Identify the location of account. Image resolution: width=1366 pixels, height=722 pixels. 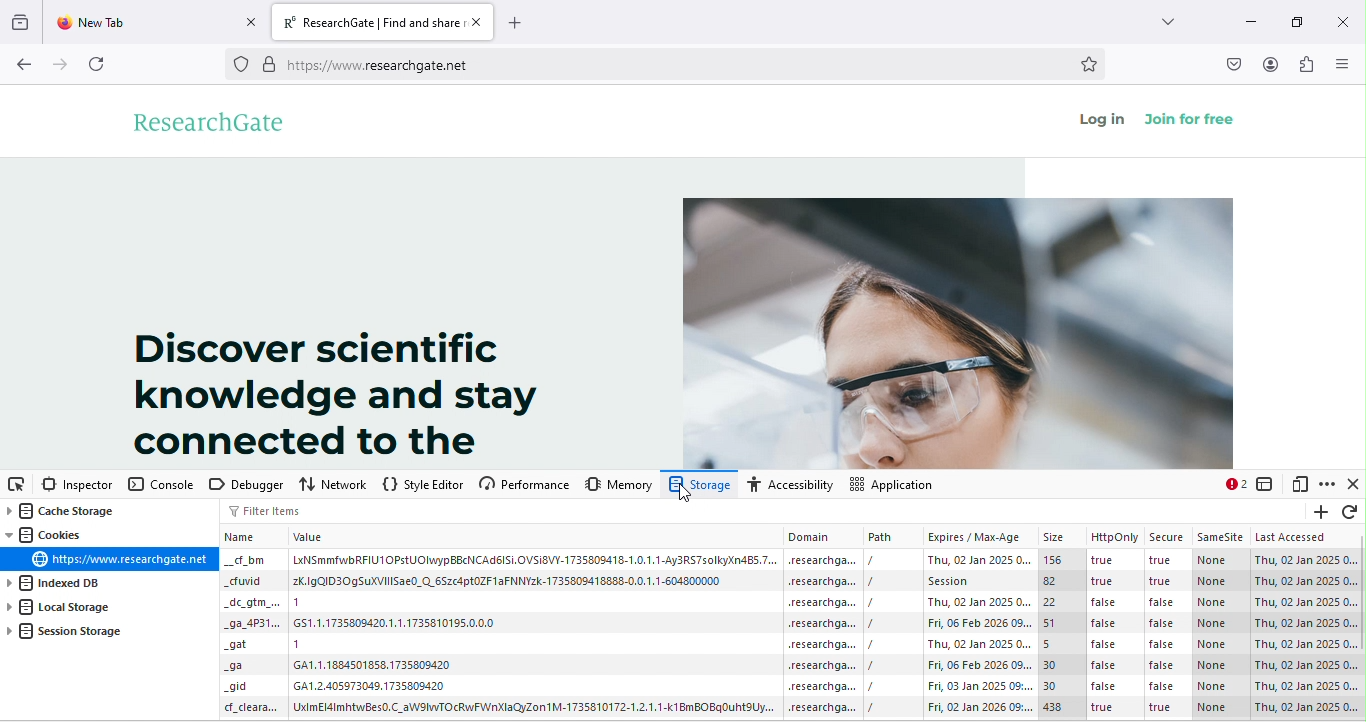
(1269, 62).